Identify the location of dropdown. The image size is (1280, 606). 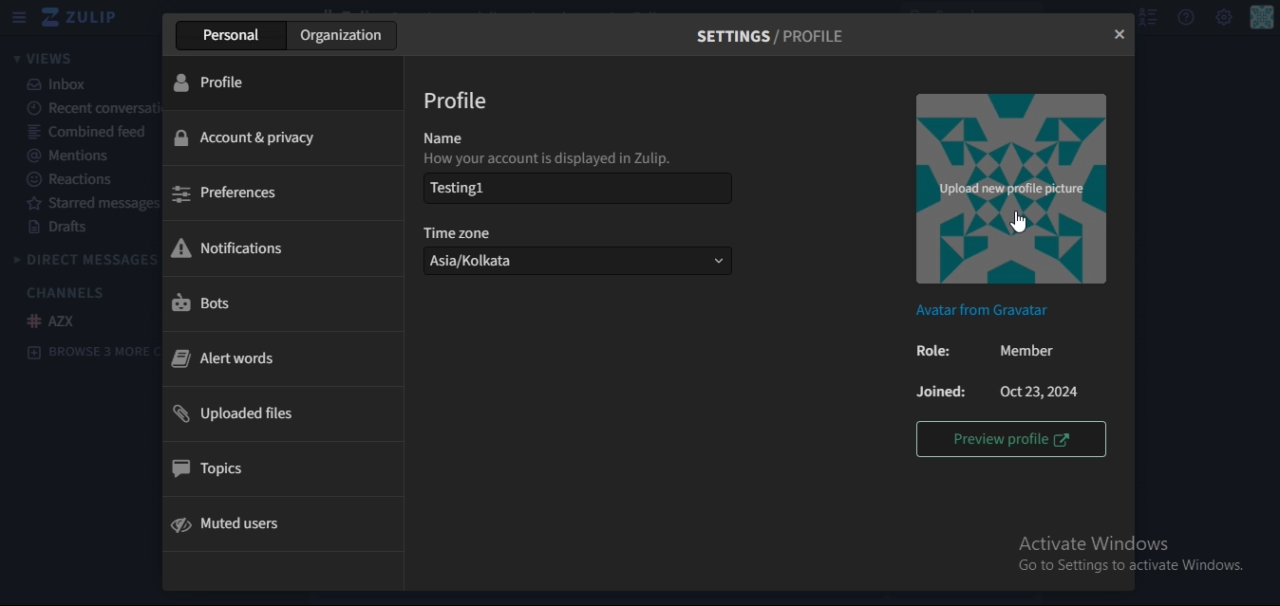
(718, 261).